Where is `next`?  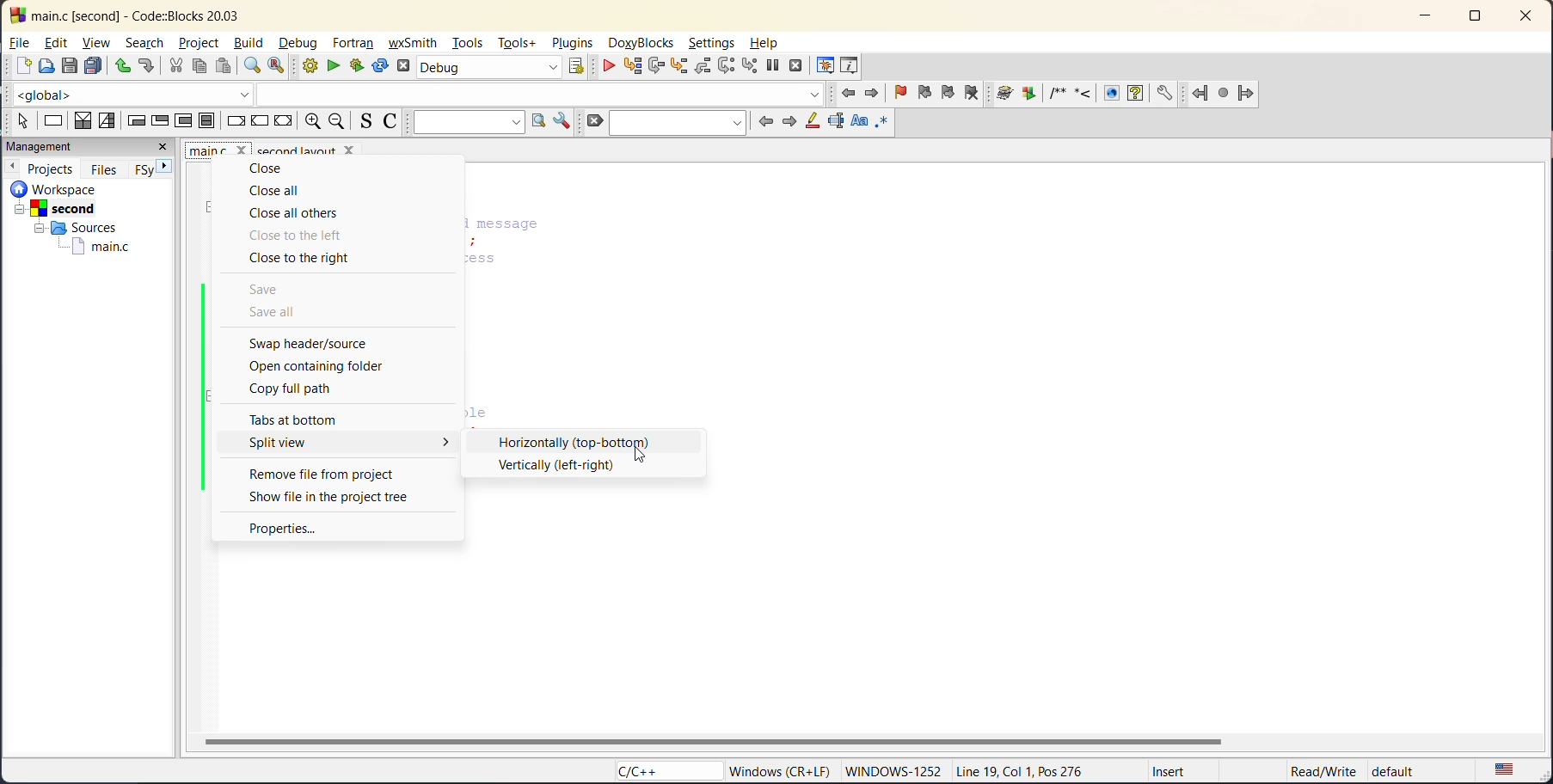
next is located at coordinates (166, 168).